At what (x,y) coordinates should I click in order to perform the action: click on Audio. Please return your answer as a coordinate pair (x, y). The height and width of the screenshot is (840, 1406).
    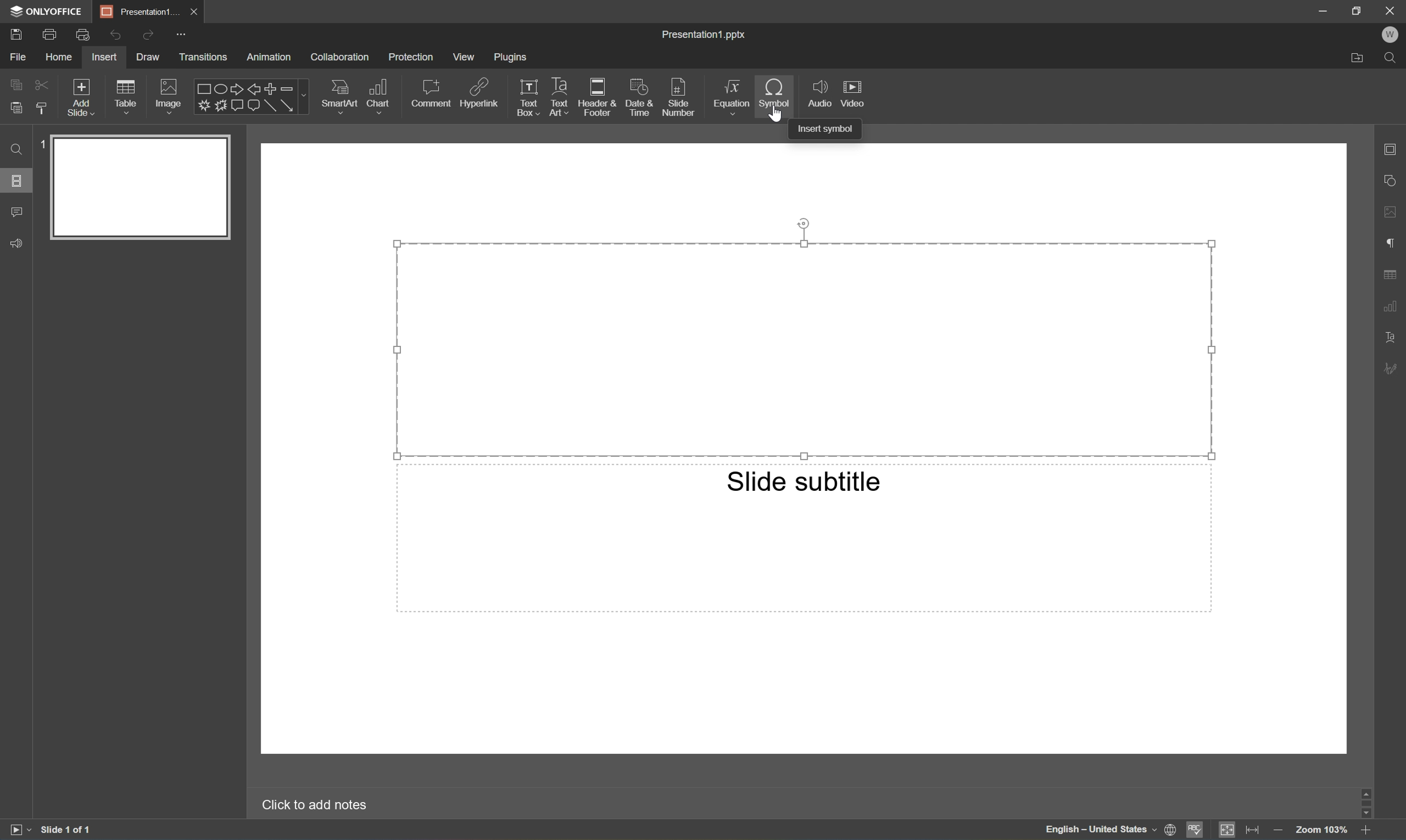
    Looking at the image, I should click on (818, 93).